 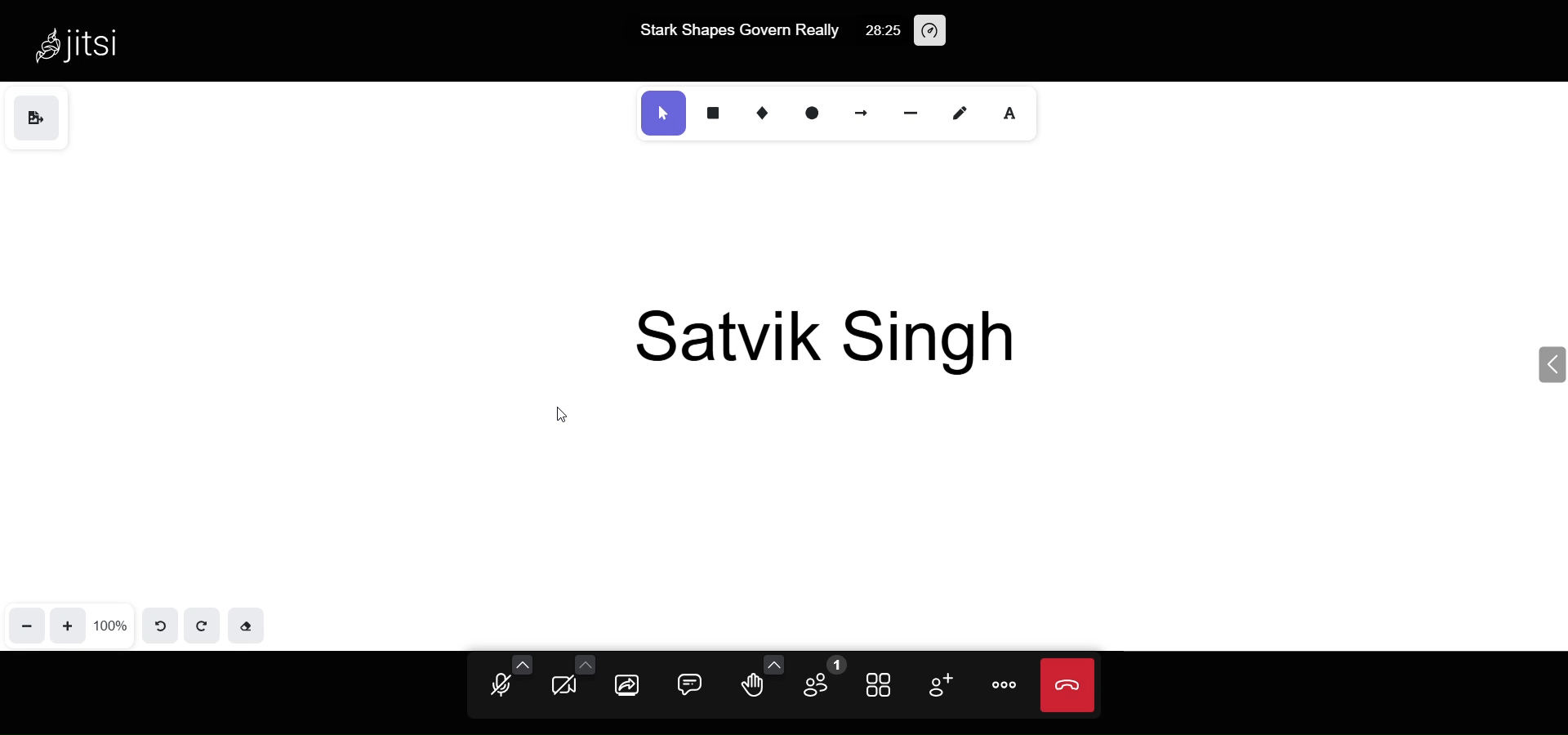 What do you see at coordinates (773, 662) in the screenshot?
I see `more emoji` at bounding box center [773, 662].